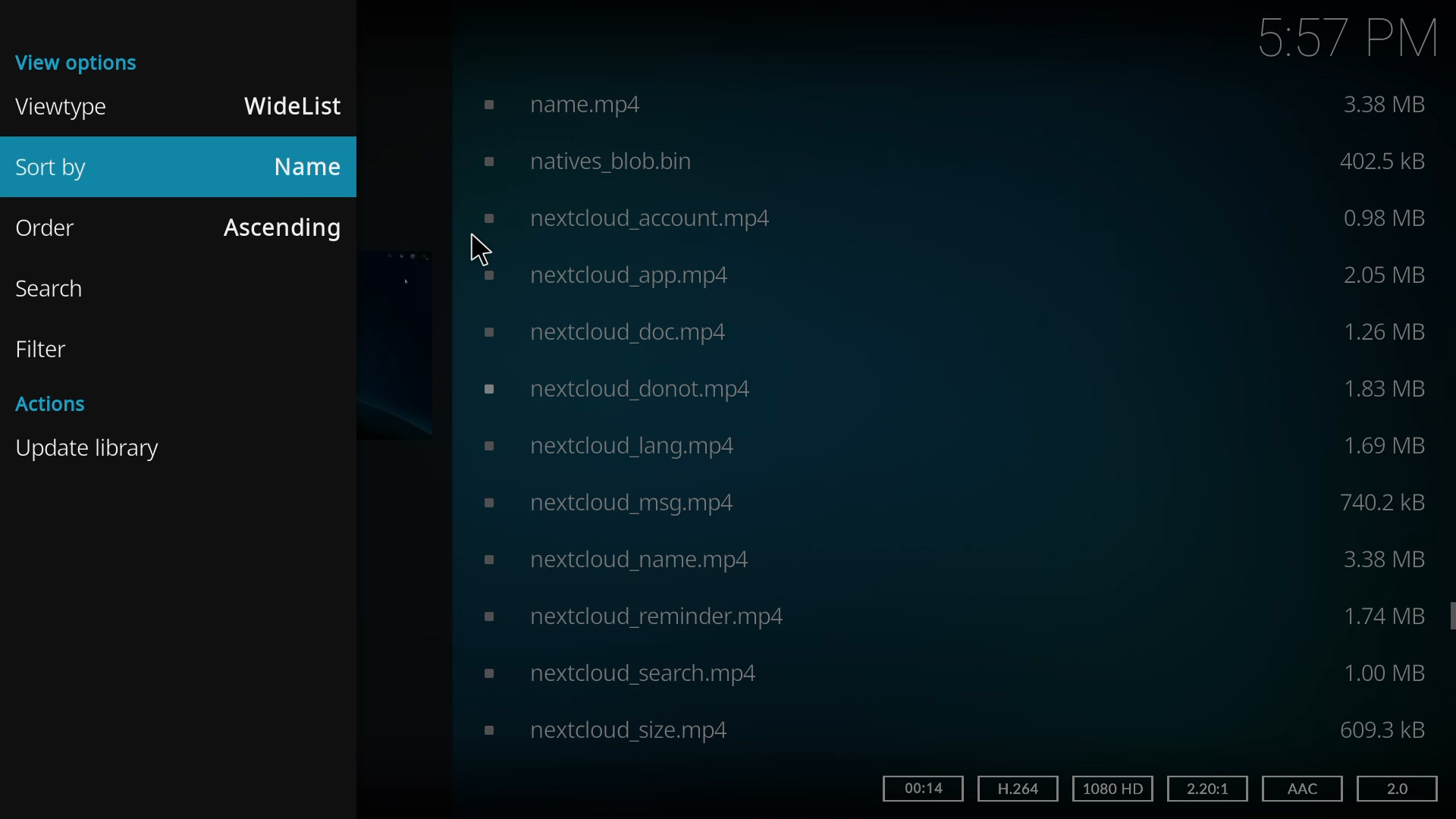 The image size is (1456, 819). I want to click on cursor, so click(481, 248).